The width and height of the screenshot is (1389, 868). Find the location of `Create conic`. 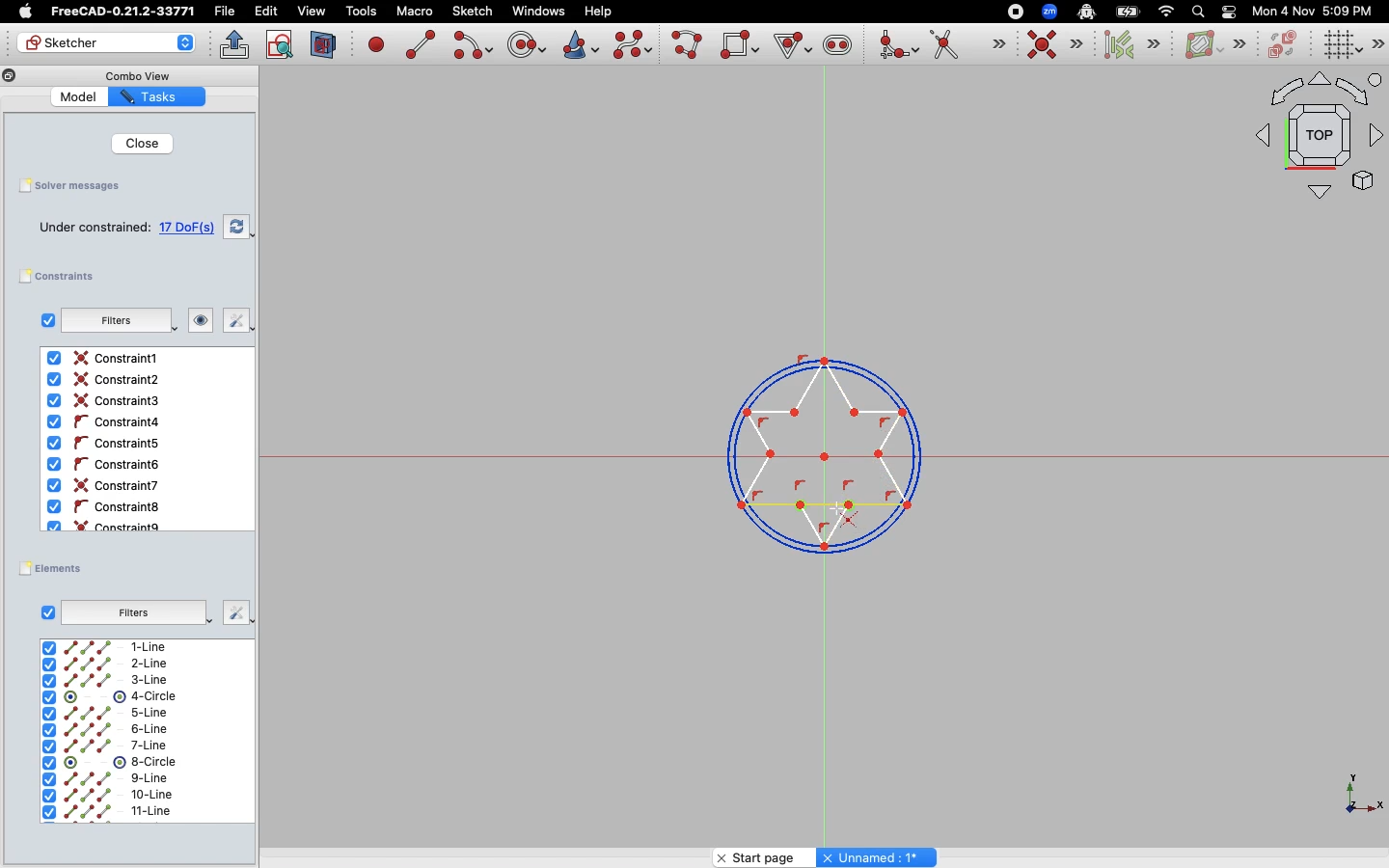

Create conic is located at coordinates (579, 43).